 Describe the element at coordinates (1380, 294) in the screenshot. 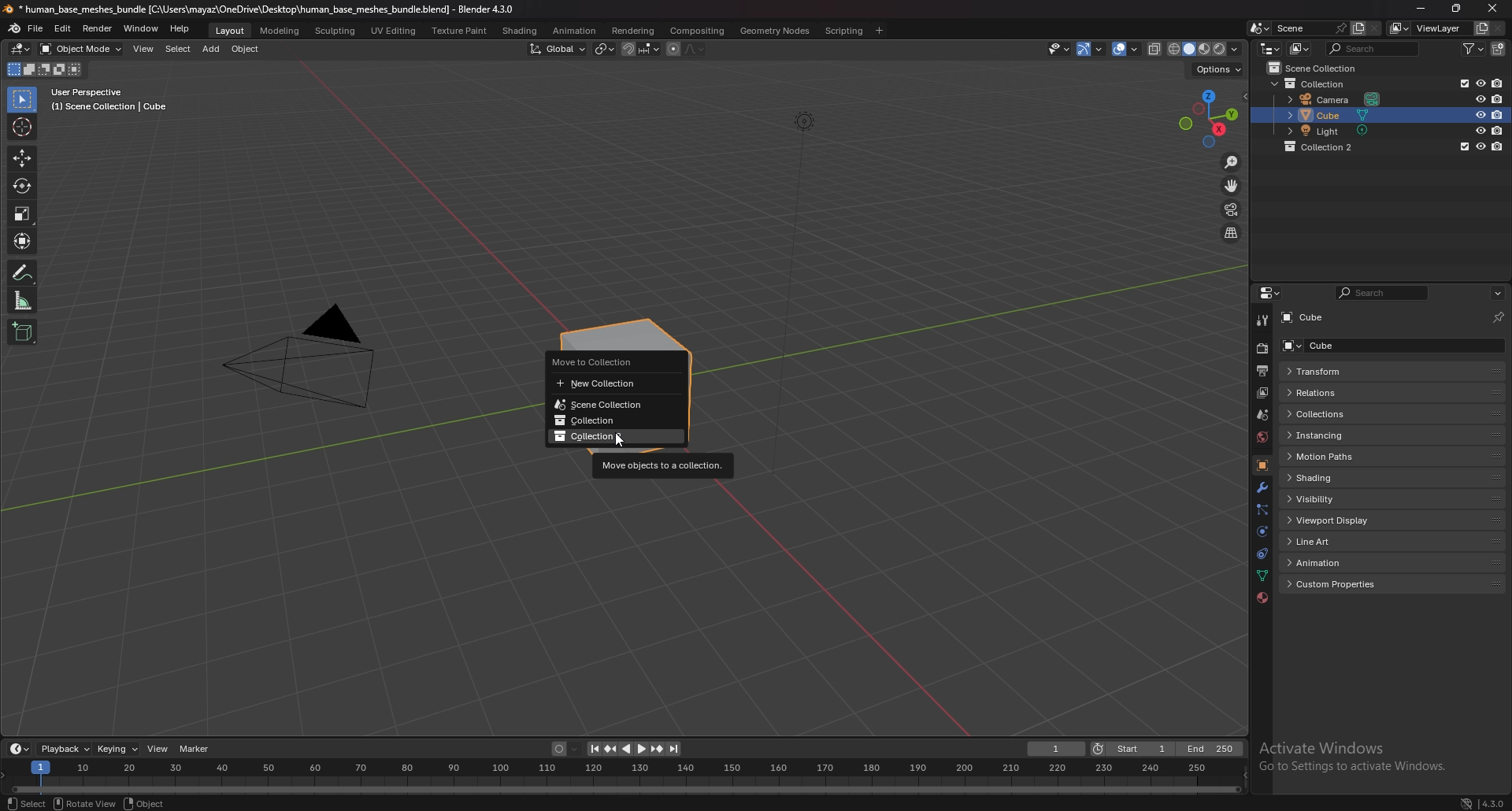

I see `search` at that location.